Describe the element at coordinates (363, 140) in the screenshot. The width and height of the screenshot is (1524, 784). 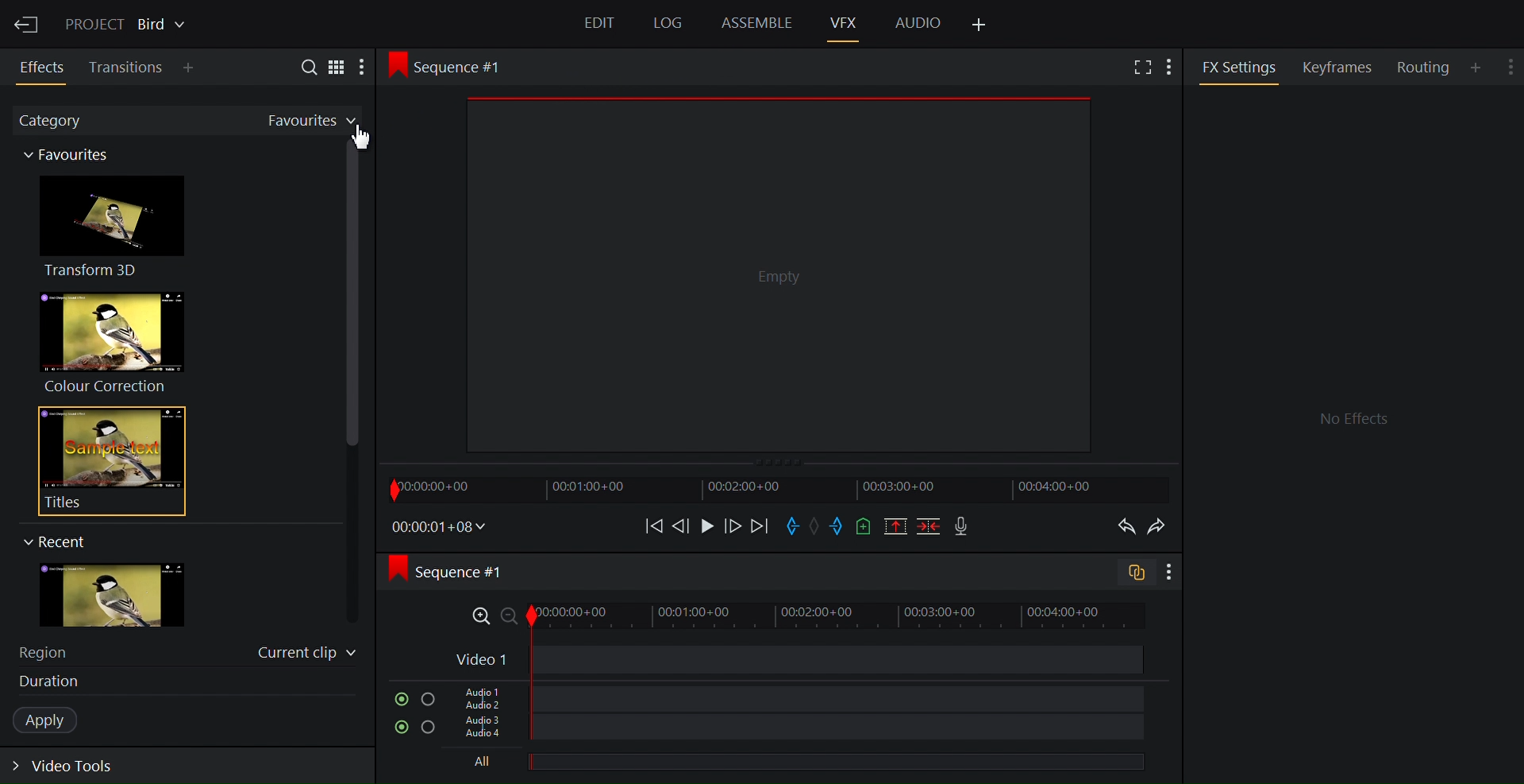
I see `Cursor` at that location.